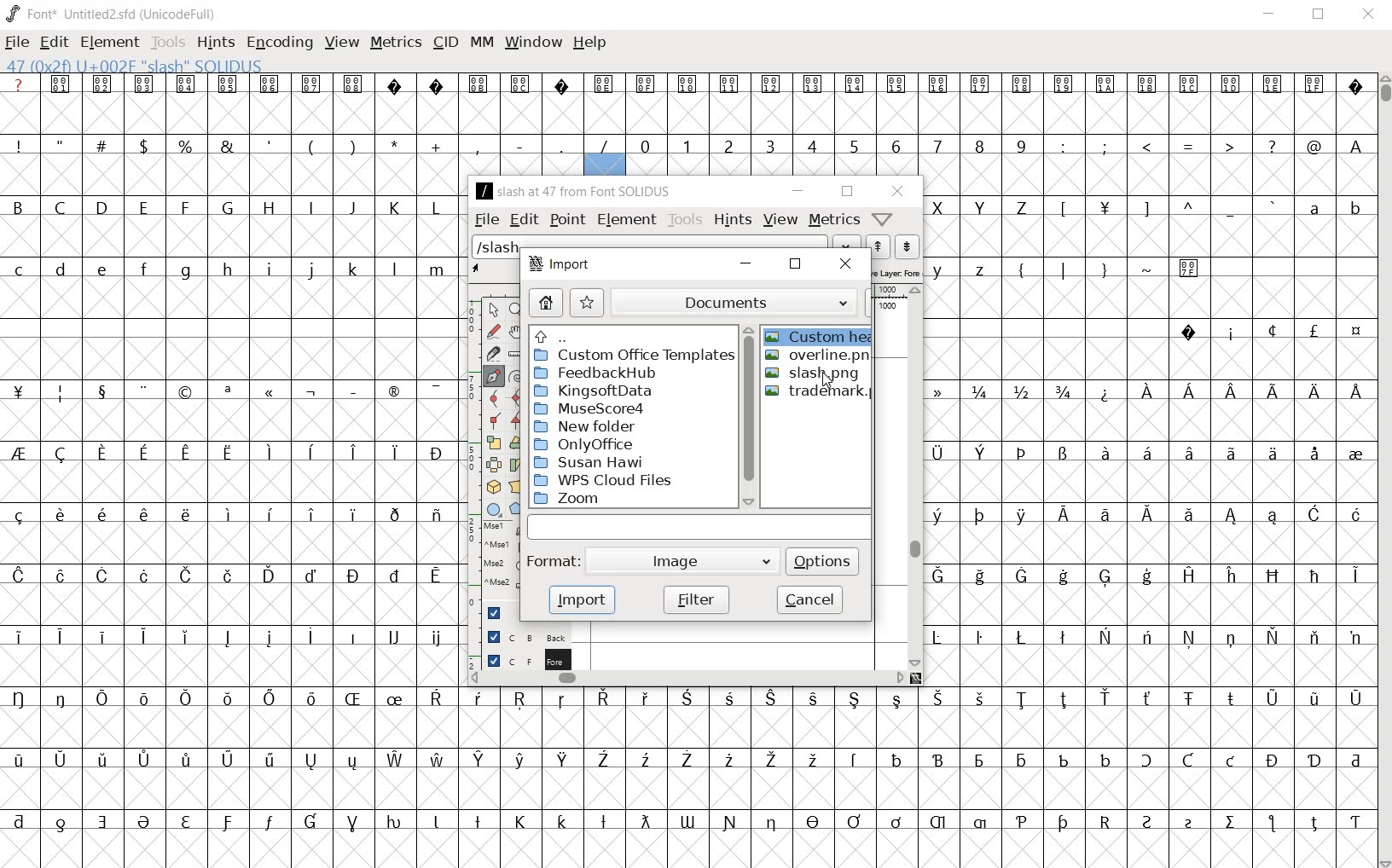  What do you see at coordinates (837, 144) in the screenshot?
I see `numbers 0 -9 ` at bounding box center [837, 144].